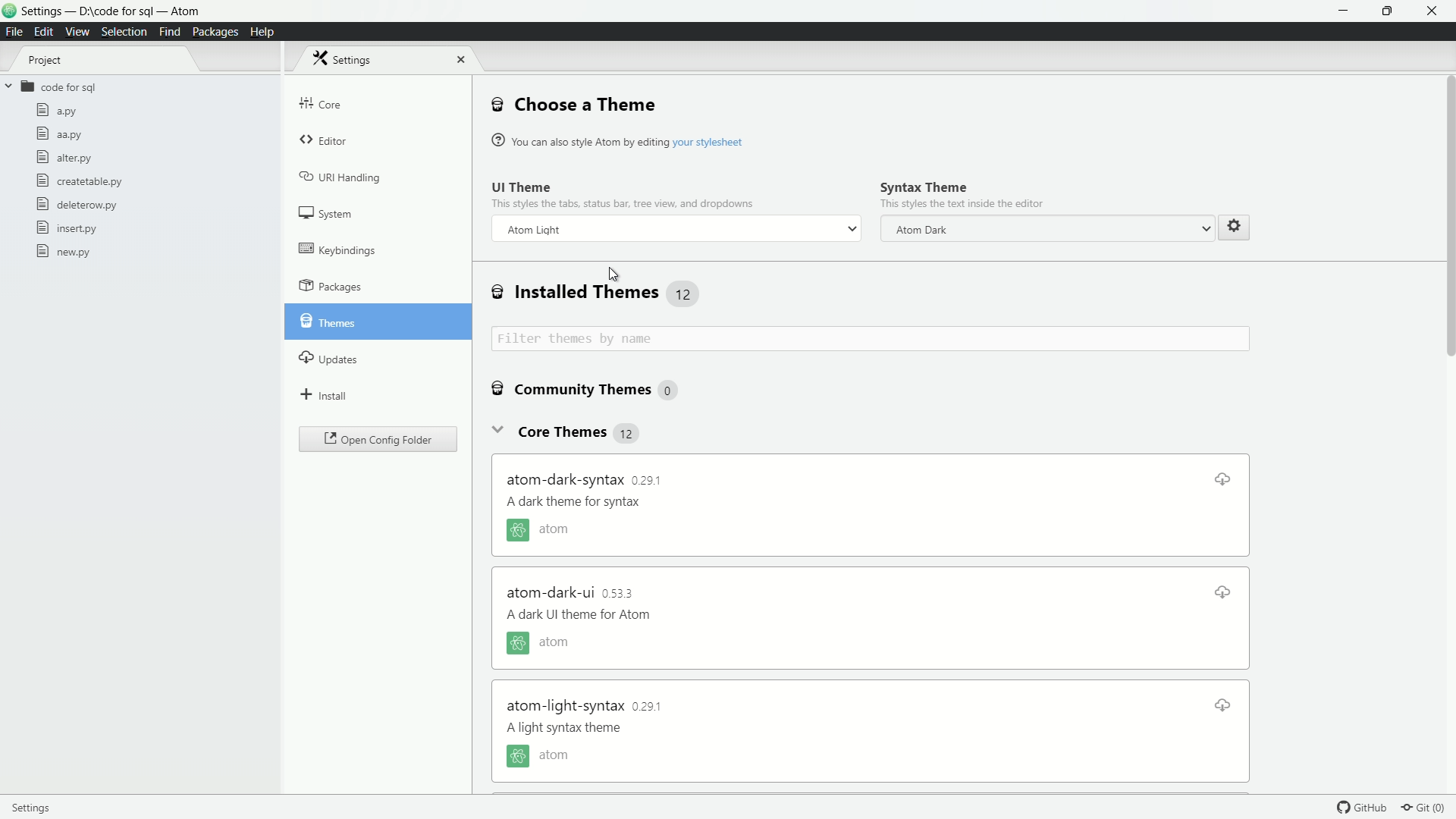 Image resolution: width=1456 pixels, height=819 pixels. I want to click on keybindings, so click(338, 249).